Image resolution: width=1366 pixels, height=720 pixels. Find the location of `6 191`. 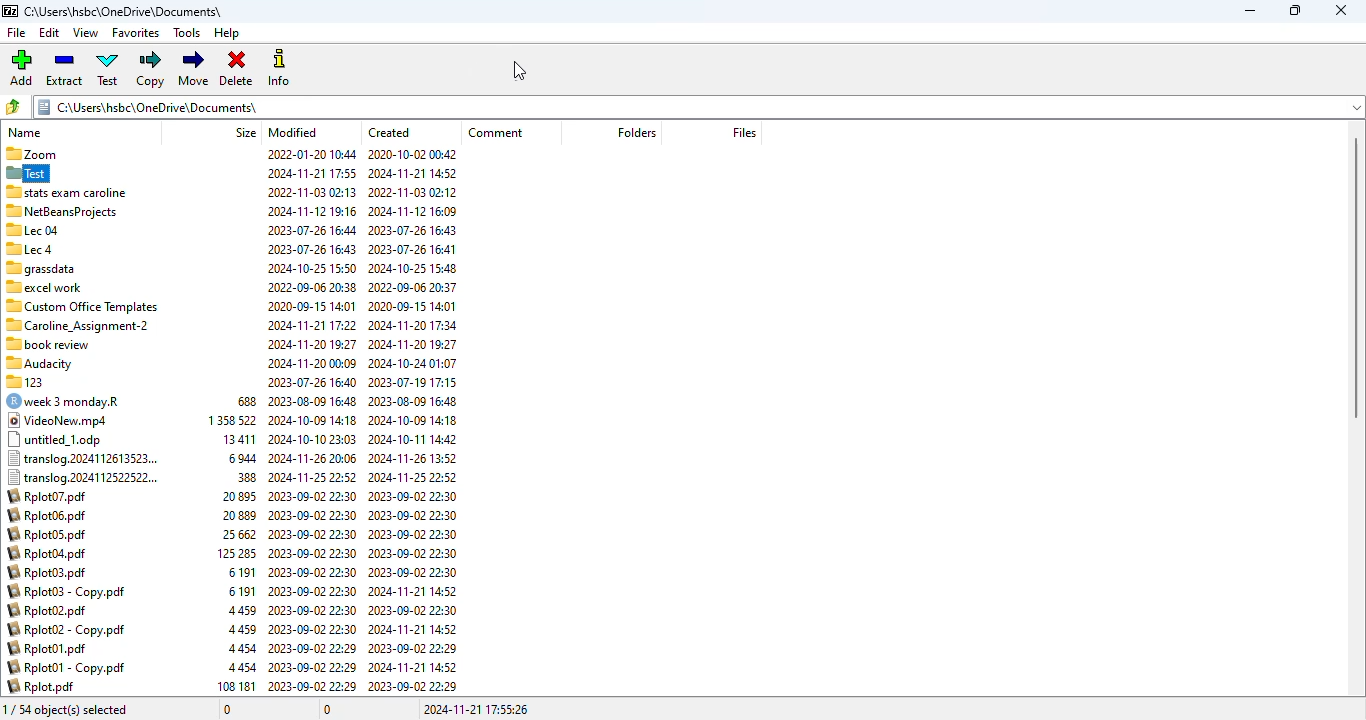

6 191 is located at coordinates (242, 573).